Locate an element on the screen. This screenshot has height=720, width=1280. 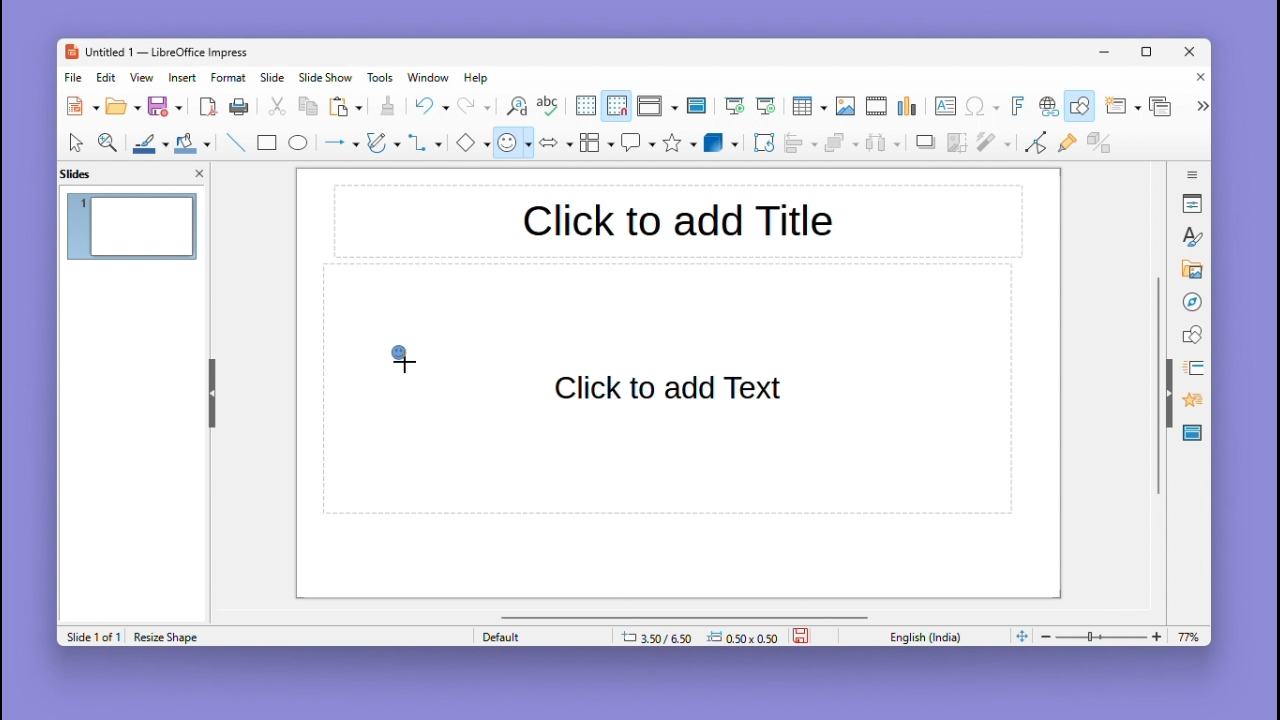
Slideshow is located at coordinates (327, 78).